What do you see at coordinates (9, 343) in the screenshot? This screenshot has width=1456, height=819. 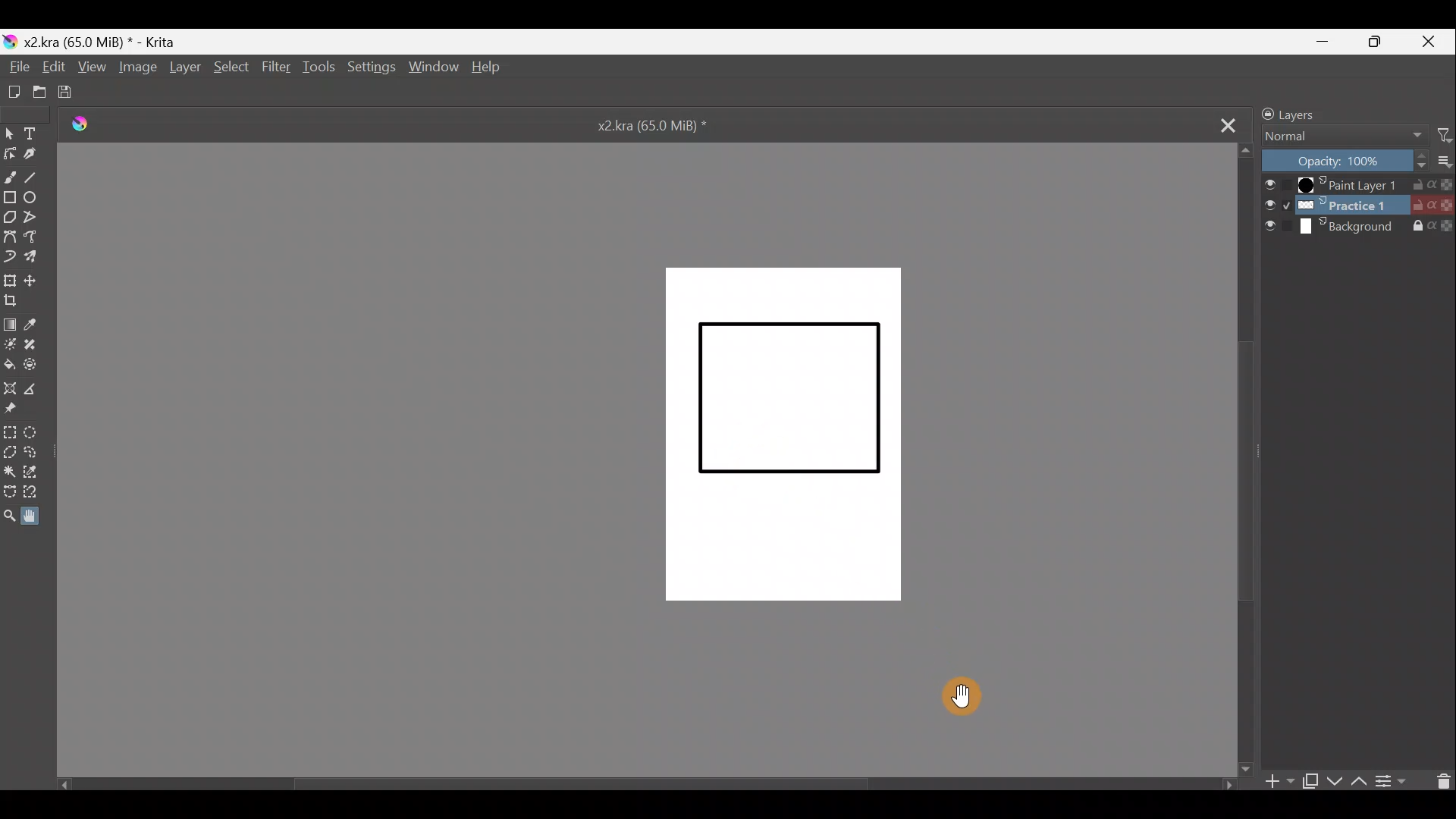 I see `Colourise mask tool` at bounding box center [9, 343].